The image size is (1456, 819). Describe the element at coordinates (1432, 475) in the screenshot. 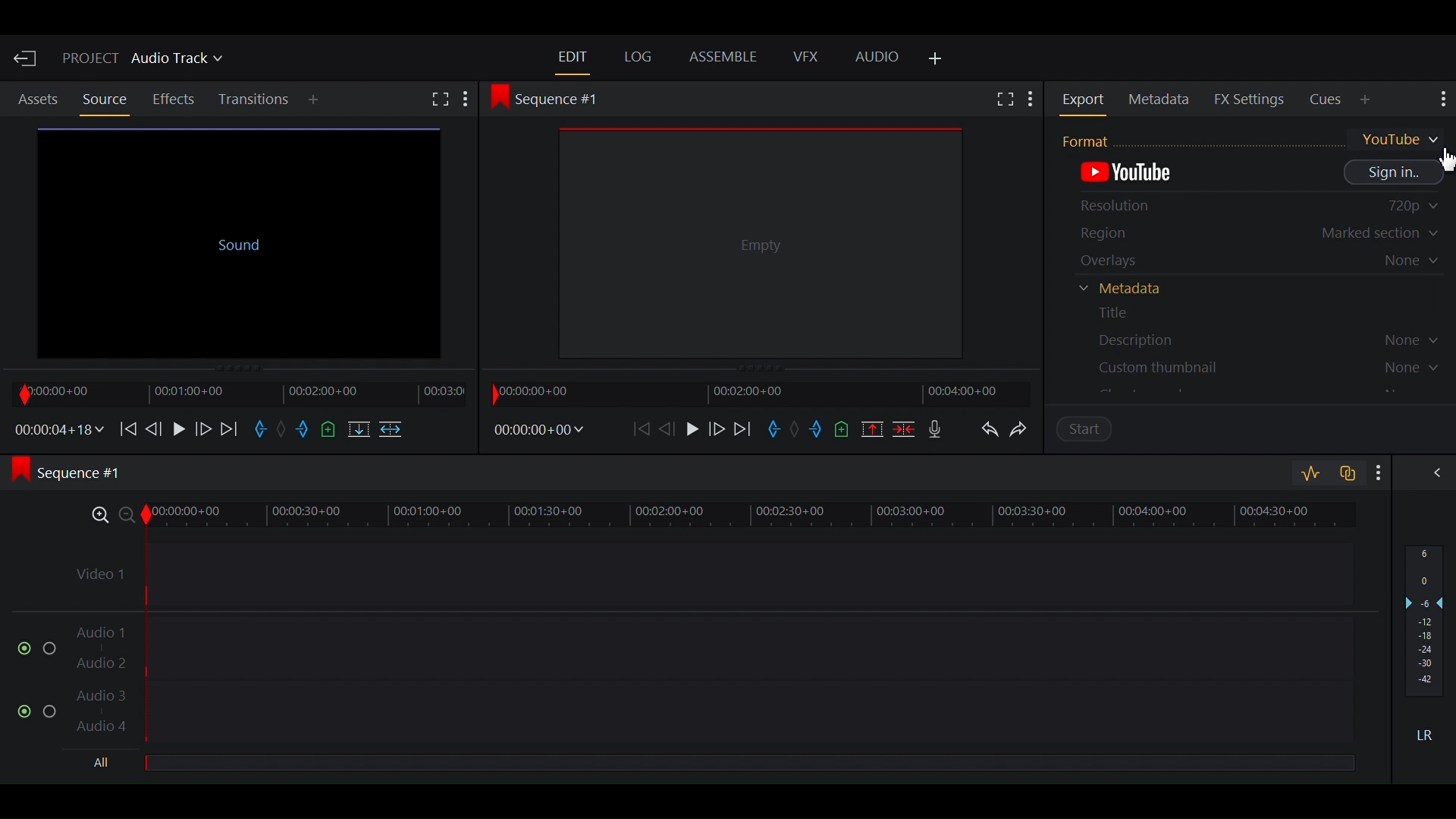

I see `Show/Hide the Full audio mix` at that location.